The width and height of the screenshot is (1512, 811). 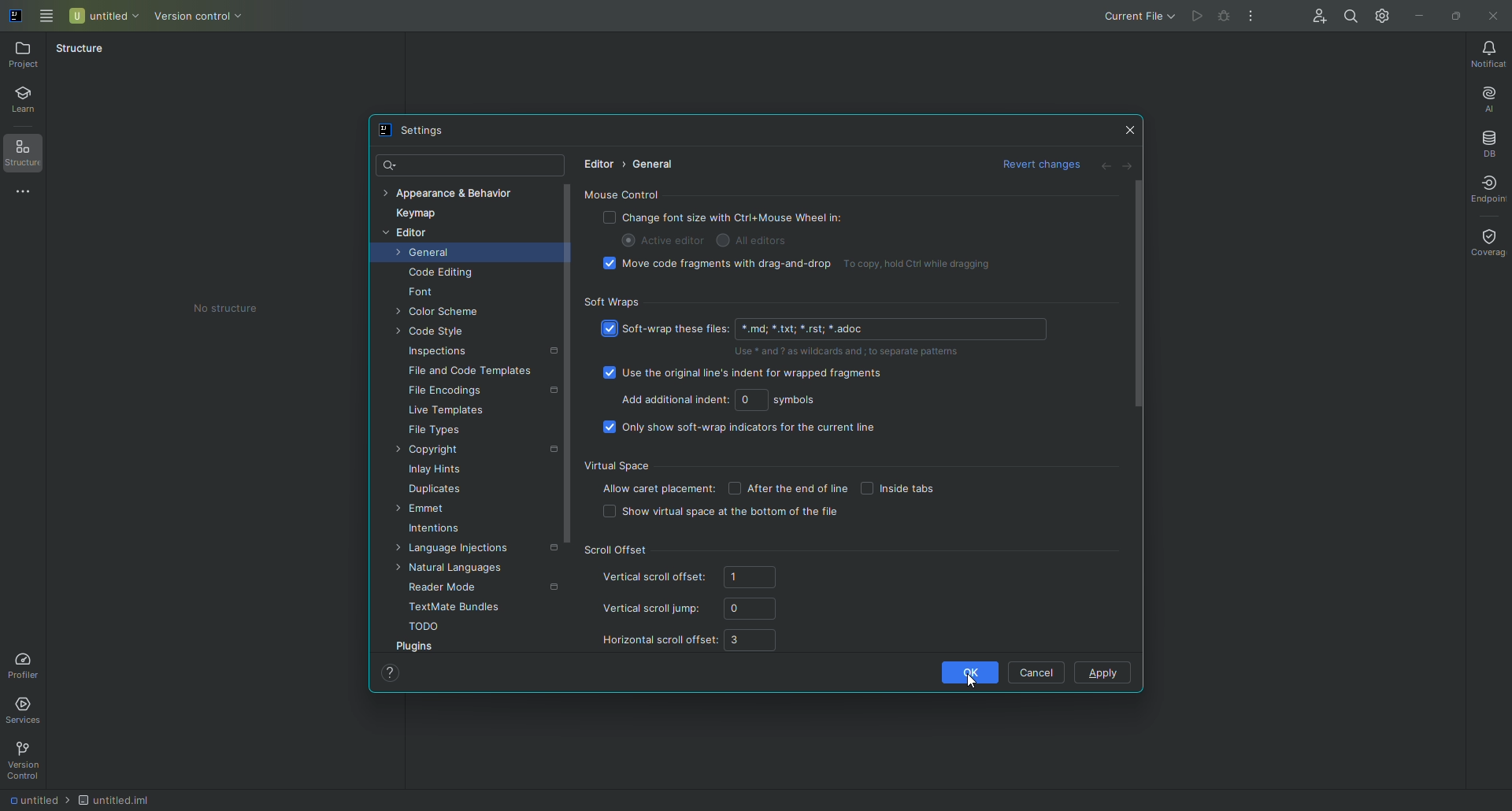 I want to click on Scroll offset, so click(x=615, y=550).